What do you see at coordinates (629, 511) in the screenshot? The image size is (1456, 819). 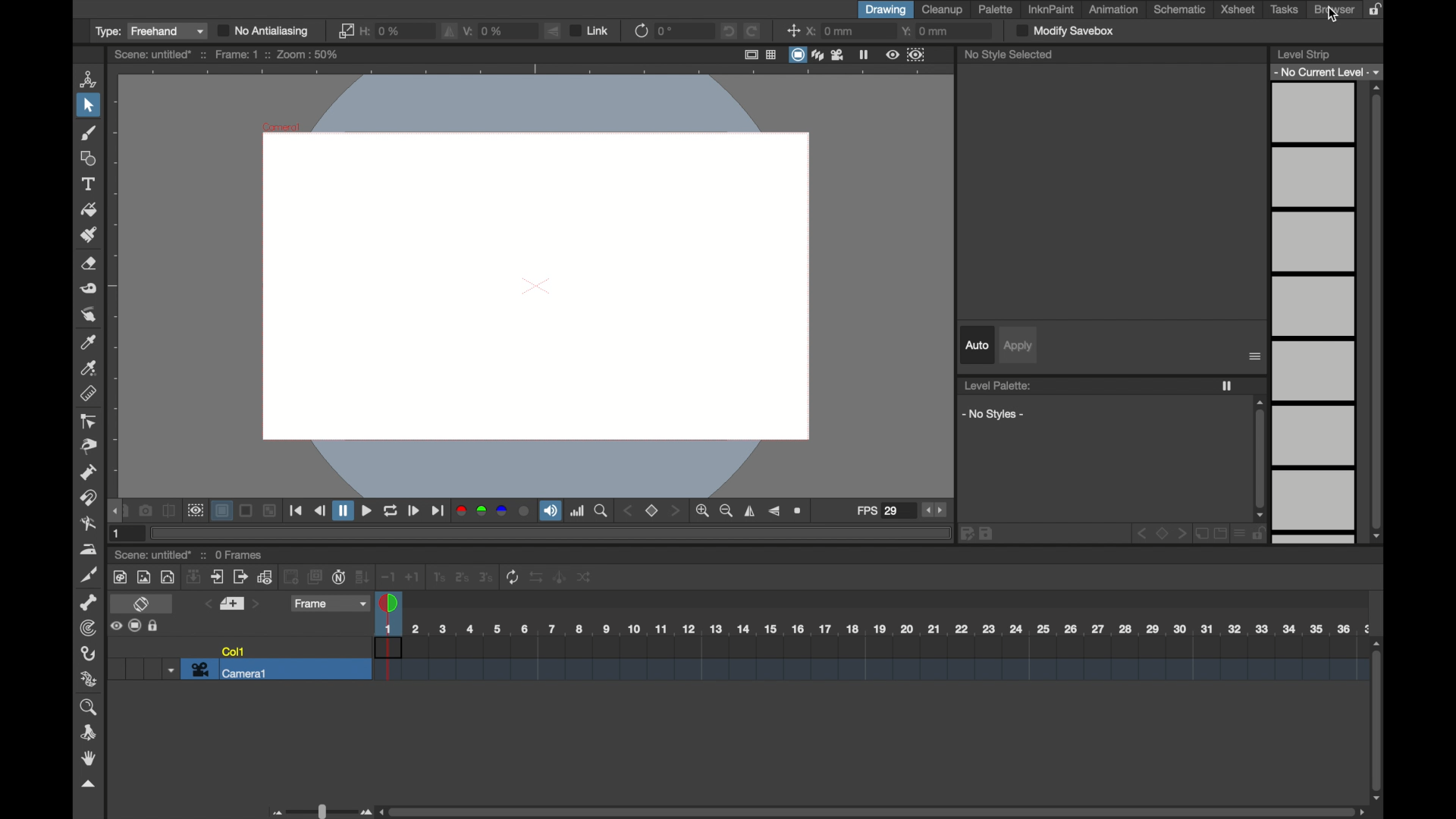 I see `back` at bounding box center [629, 511].